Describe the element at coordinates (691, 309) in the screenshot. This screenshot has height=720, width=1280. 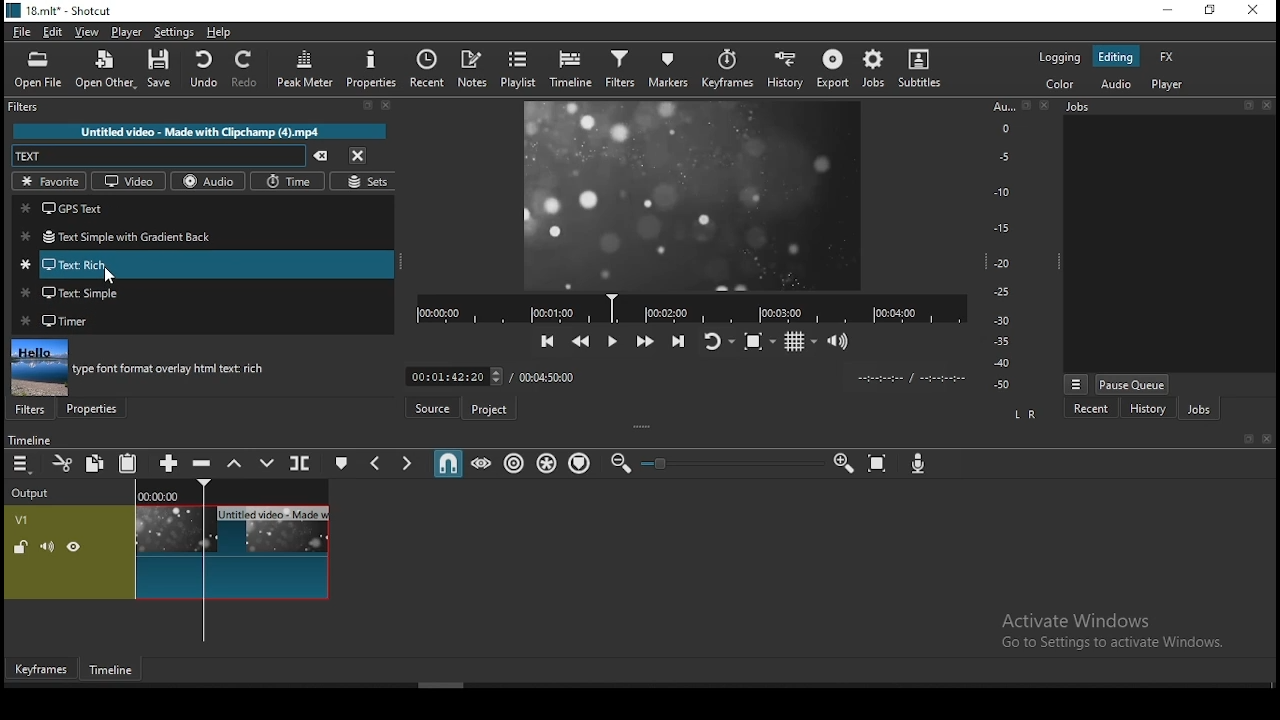
I see `Timeline Navigator` at that location.